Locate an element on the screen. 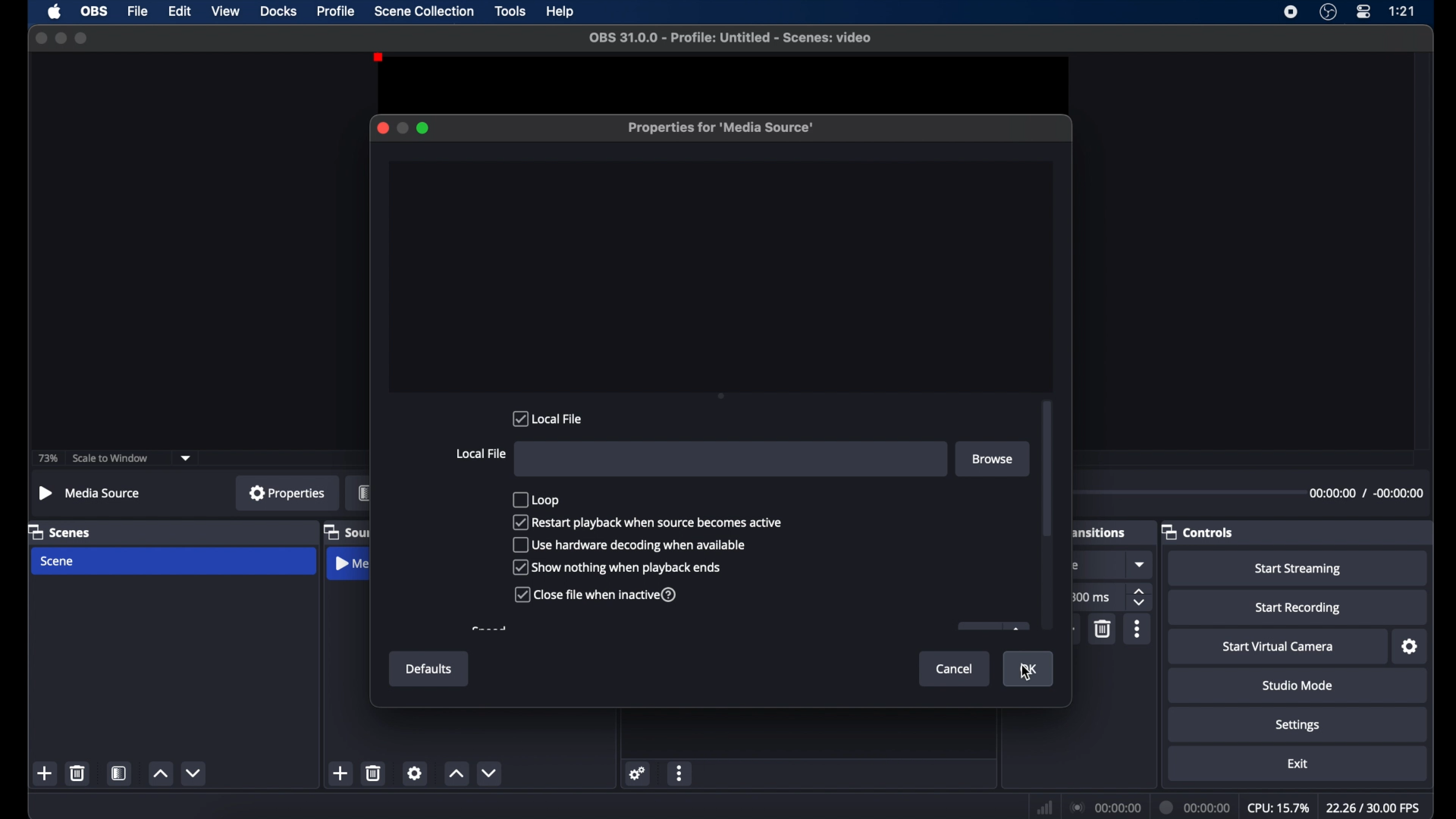 This screenshot has height=819, width=1456. settings is located at coordinates (1410, 647).